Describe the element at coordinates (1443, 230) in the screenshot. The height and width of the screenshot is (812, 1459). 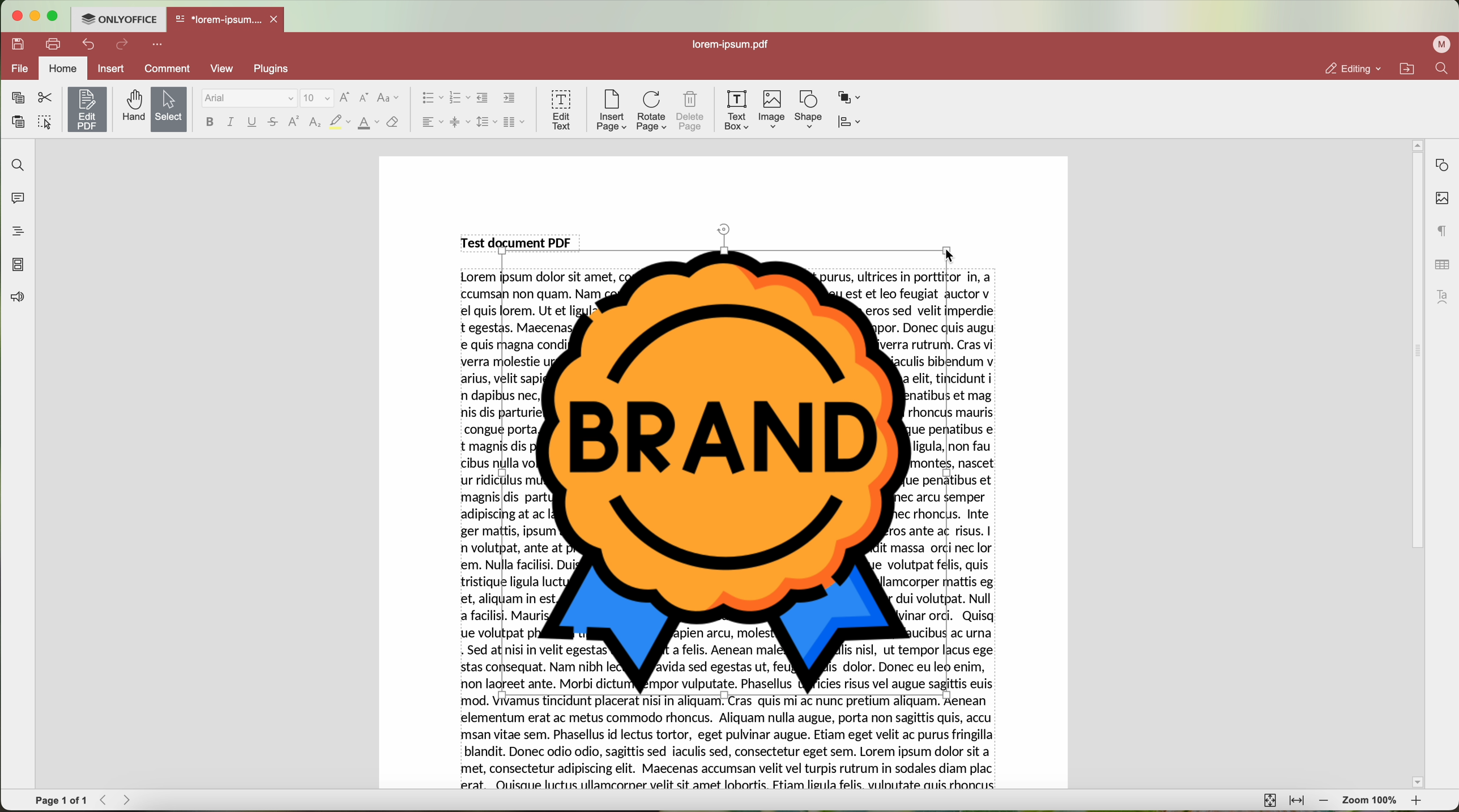
I see `paragraph settings` at that location.